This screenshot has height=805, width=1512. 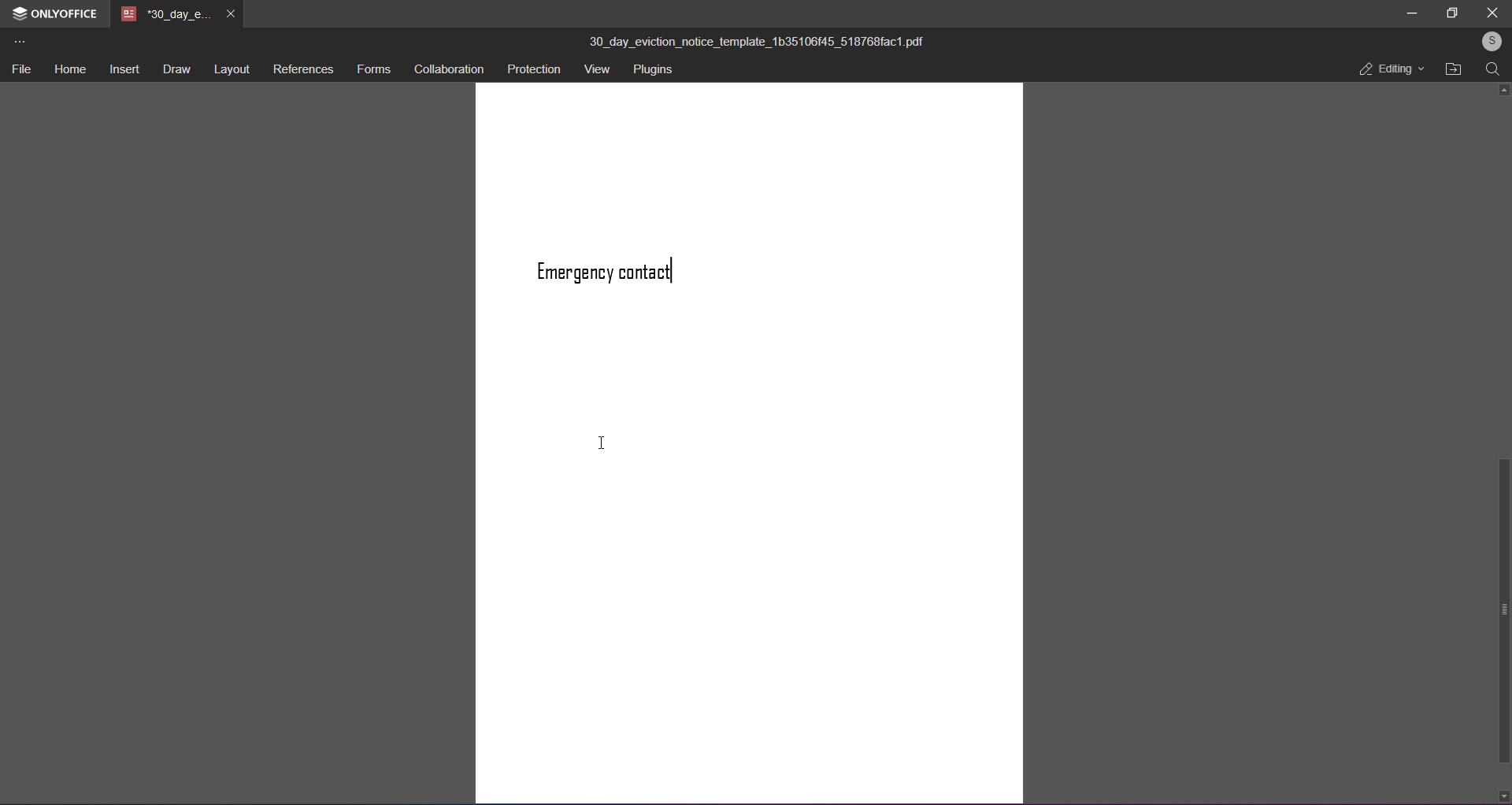 I want to click on home, so click(x=67, y=70).